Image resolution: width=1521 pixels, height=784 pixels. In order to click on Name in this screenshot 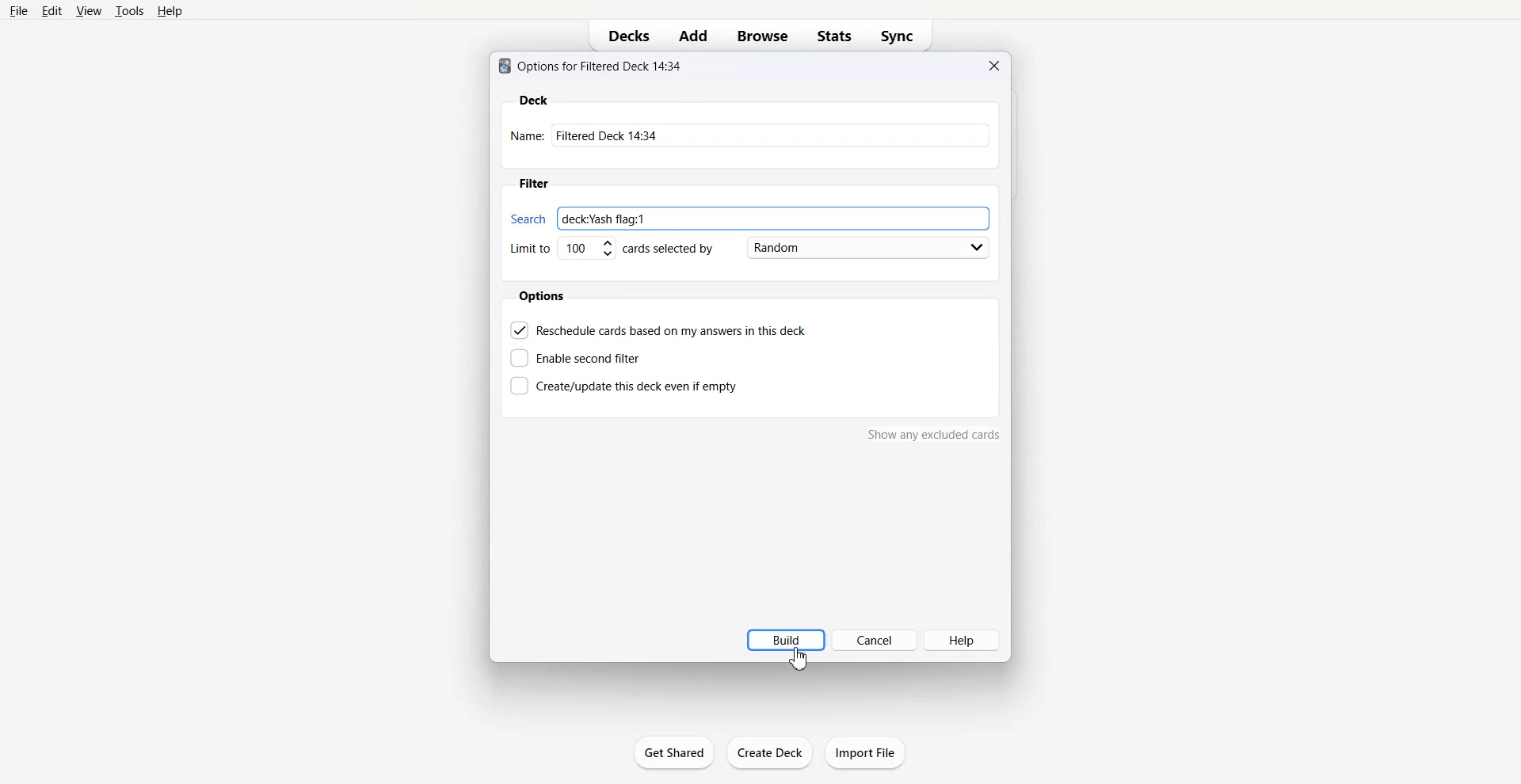, I will do `click(752, 135)`.